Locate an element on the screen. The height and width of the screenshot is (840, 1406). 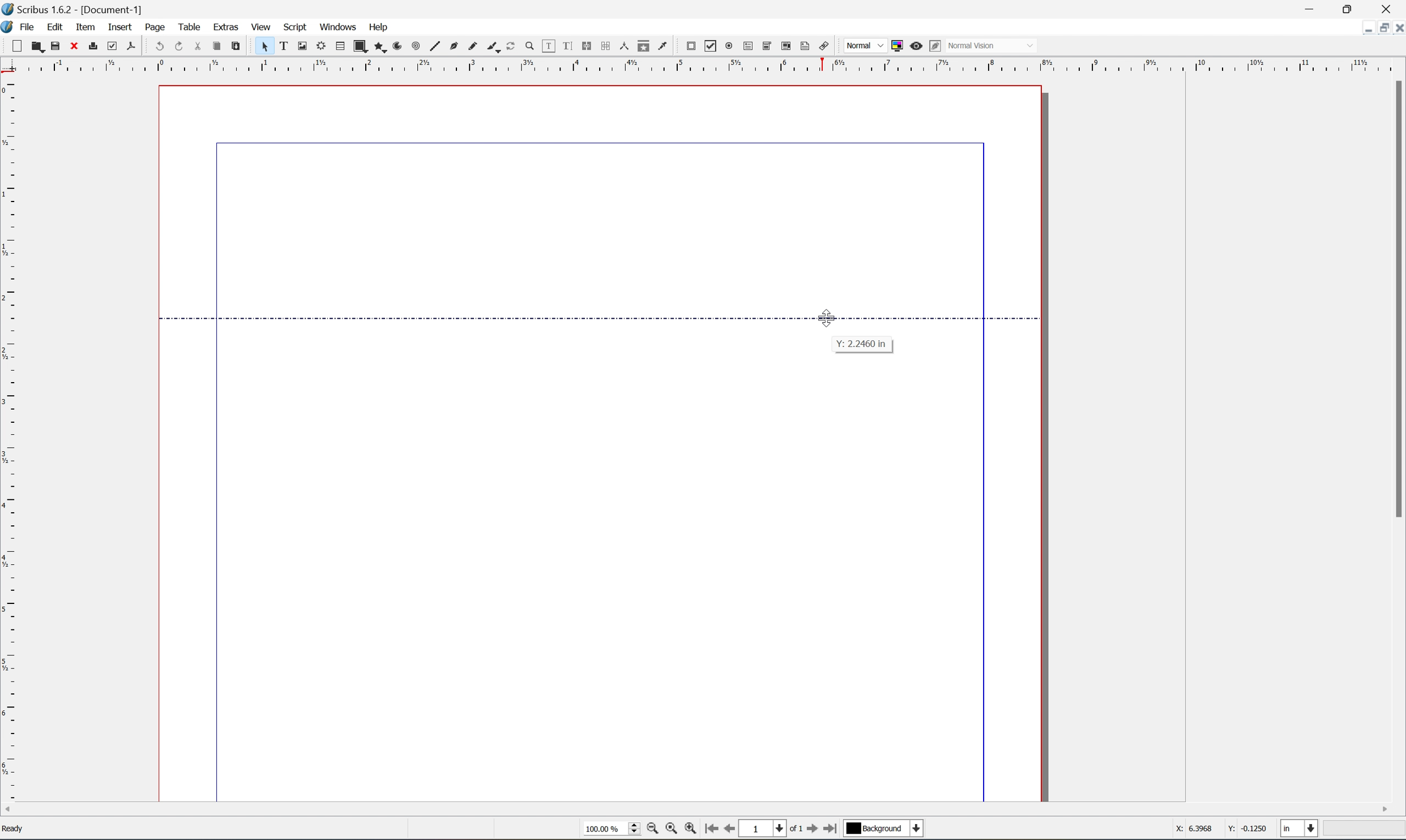
ruler is located at coordinates (9, 440).